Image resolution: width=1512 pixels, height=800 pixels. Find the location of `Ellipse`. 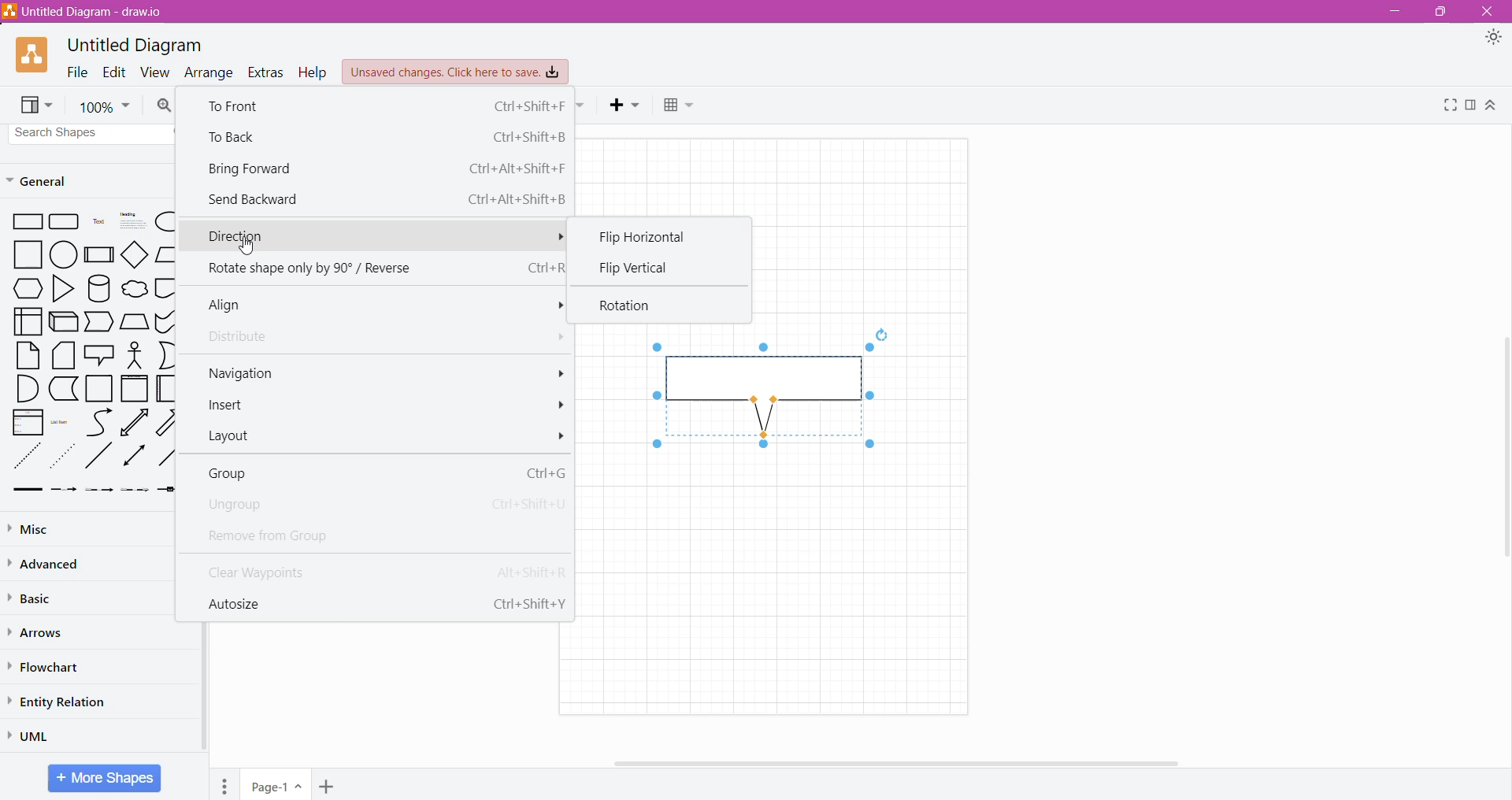

Ellipse is located at coordinates (164, 222).